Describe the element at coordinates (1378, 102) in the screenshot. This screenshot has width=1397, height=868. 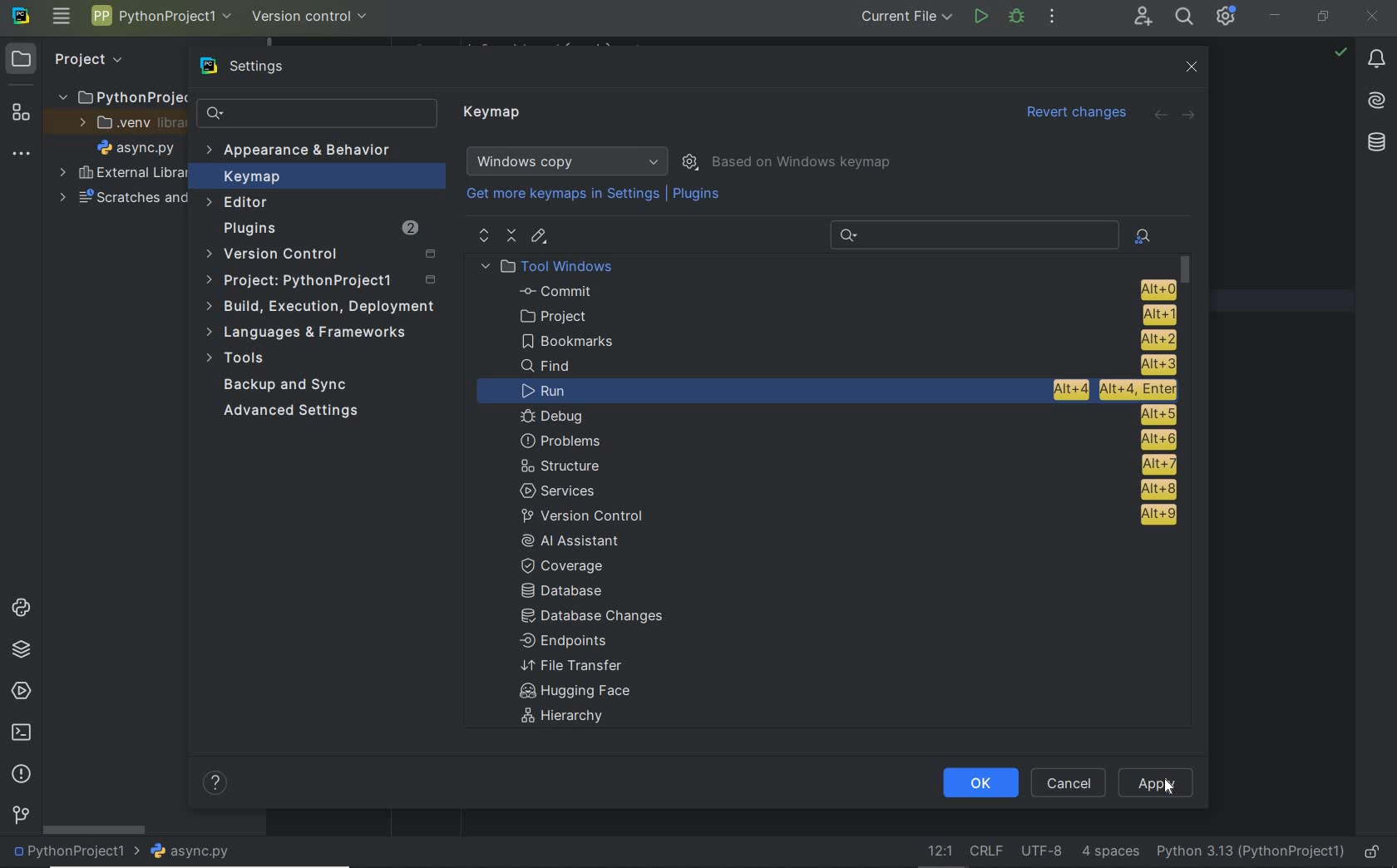
I see `AI Assistant` at that location.